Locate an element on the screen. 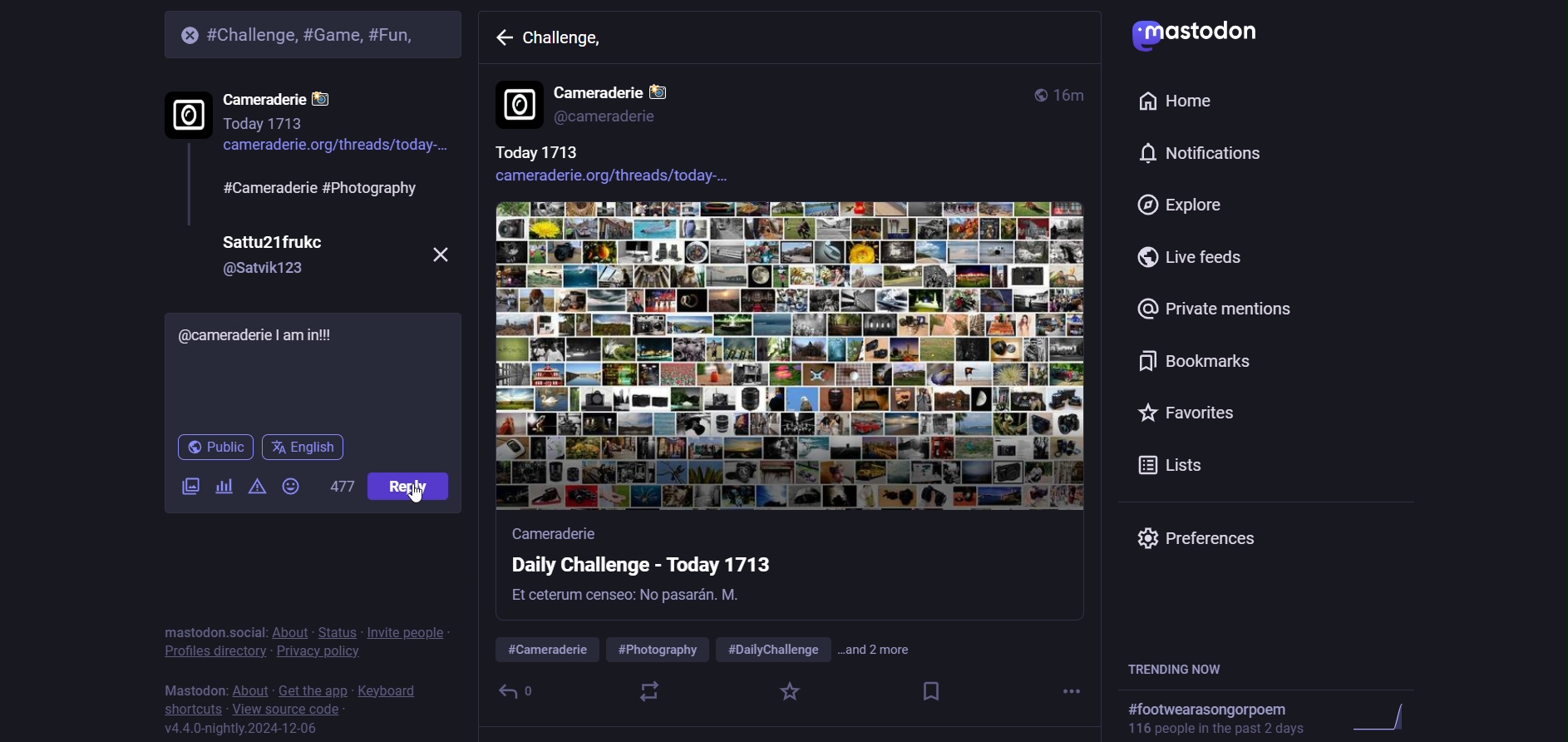 The height and width of the screenshot is (742, 1568). back is located at coordinates (502, 40).